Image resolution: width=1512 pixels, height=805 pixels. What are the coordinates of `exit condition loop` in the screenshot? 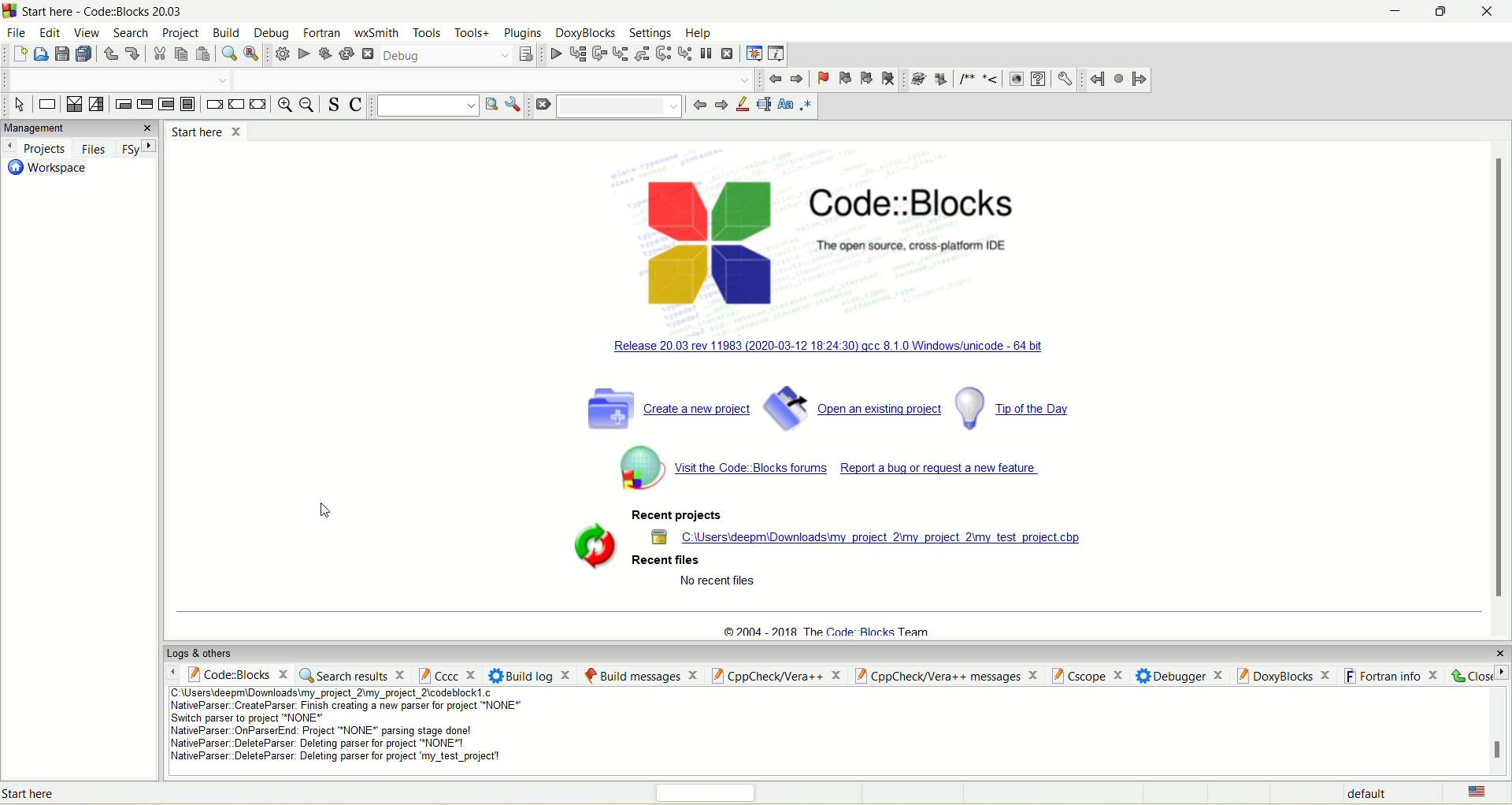 It's located at (145, 105).